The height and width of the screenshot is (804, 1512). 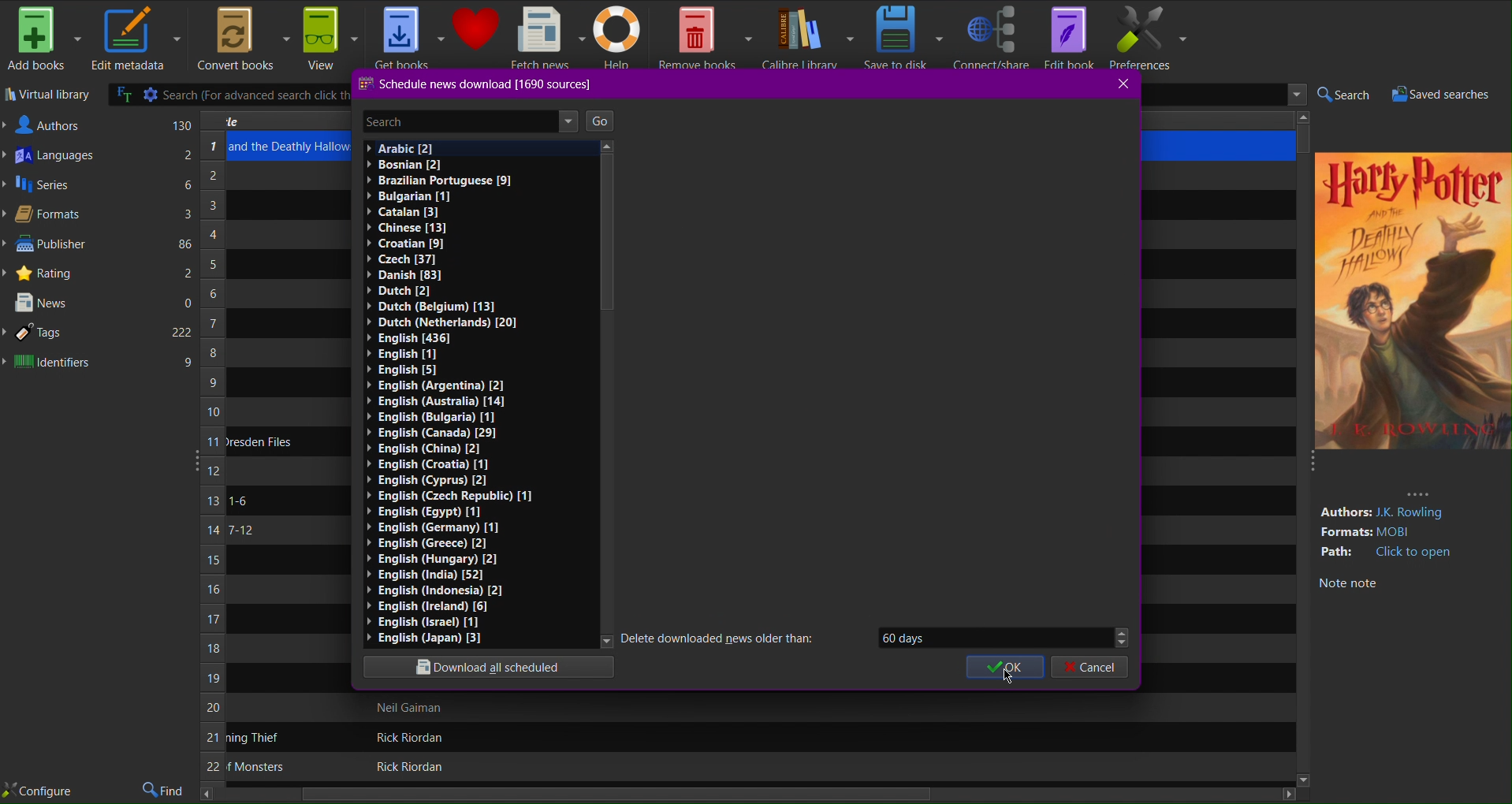 What do you see at coordinates (100, 245) in the screenshot?
I see `Publisher` at bounding box center [100, 245].